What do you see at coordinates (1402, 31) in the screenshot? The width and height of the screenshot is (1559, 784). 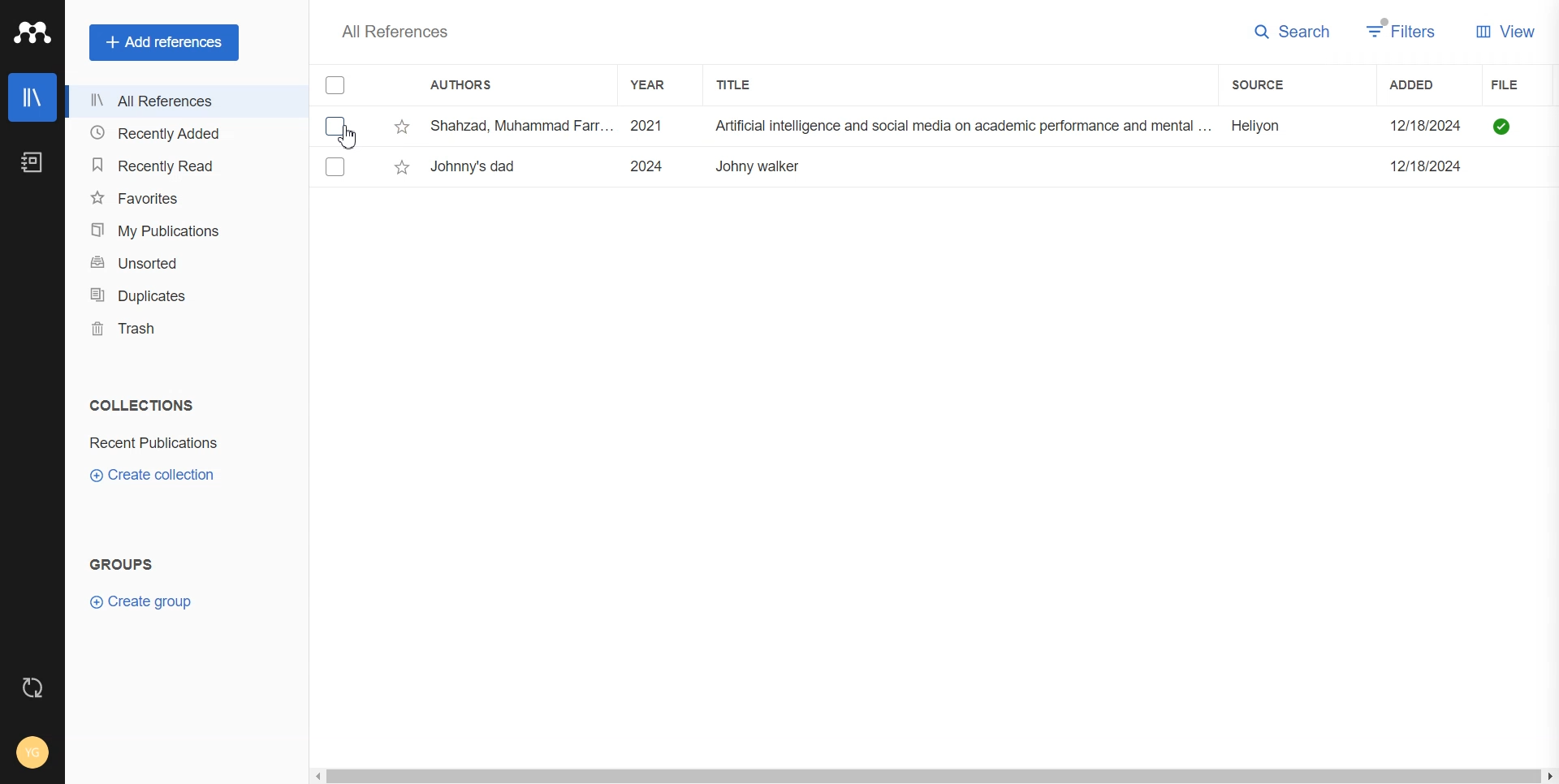 I see `Filters` at bounding box center [1402, 31].